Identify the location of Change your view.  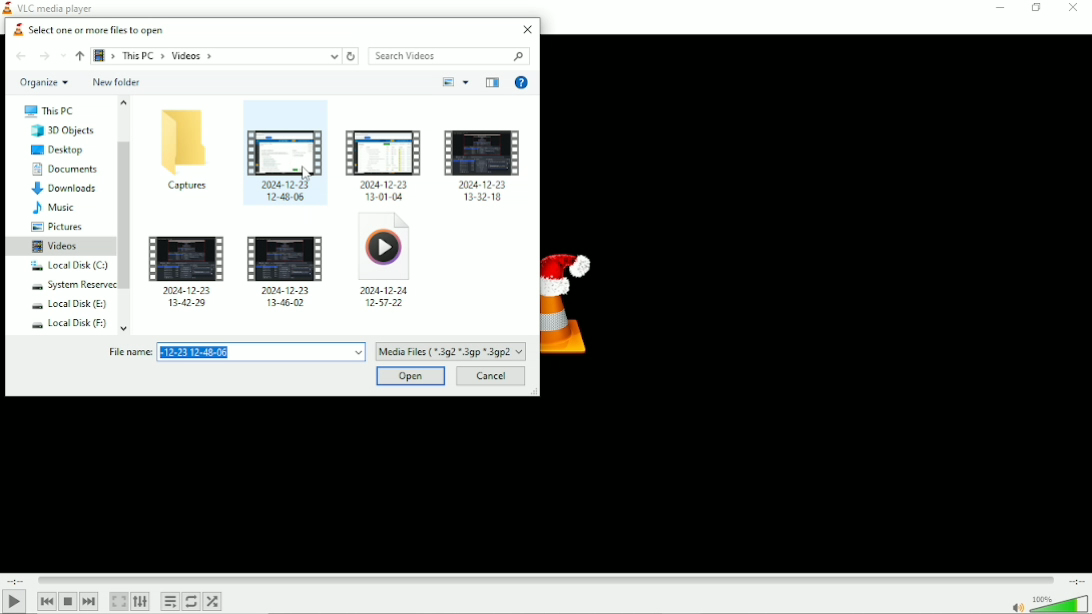
(448, 83).